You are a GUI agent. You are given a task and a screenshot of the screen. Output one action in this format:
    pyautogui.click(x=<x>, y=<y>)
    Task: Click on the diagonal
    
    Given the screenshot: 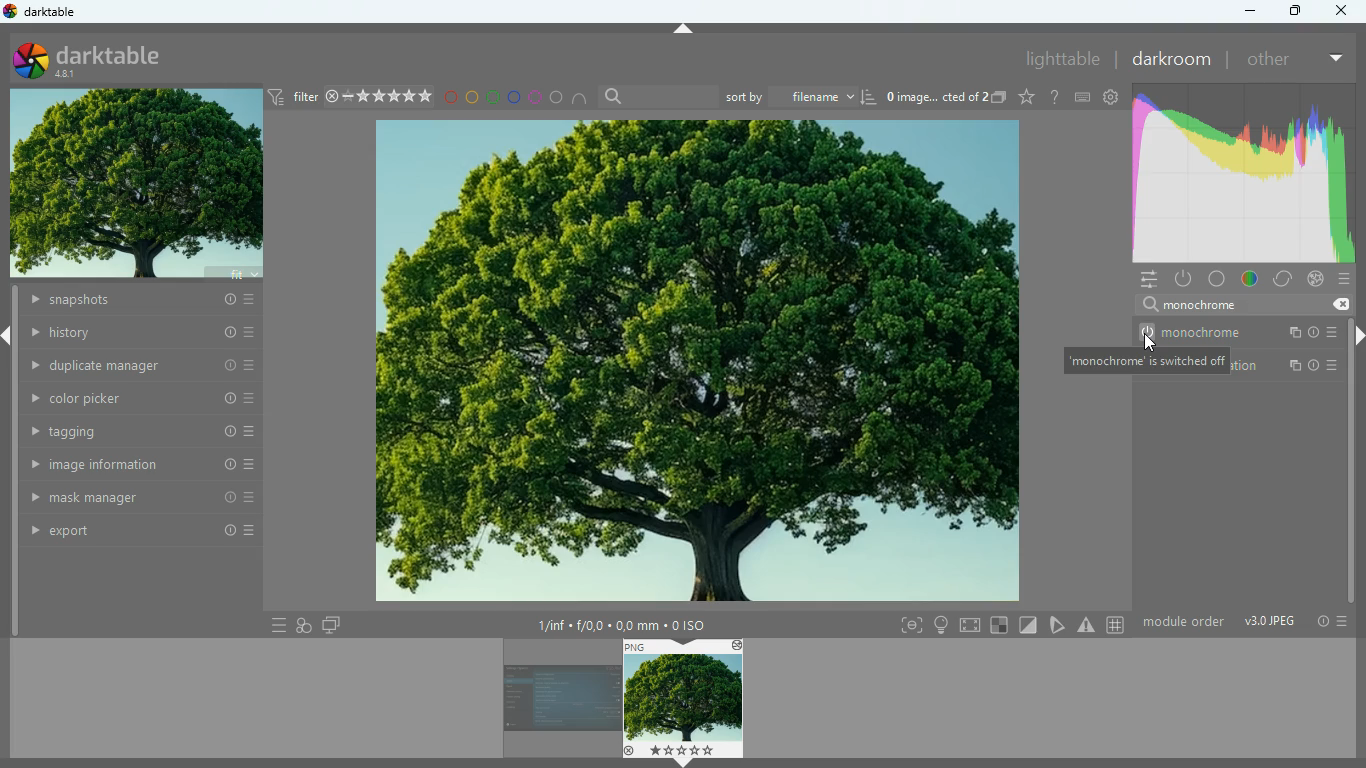 What is the action you would take?
    pyautogui.click(x=1028, y=626)
    